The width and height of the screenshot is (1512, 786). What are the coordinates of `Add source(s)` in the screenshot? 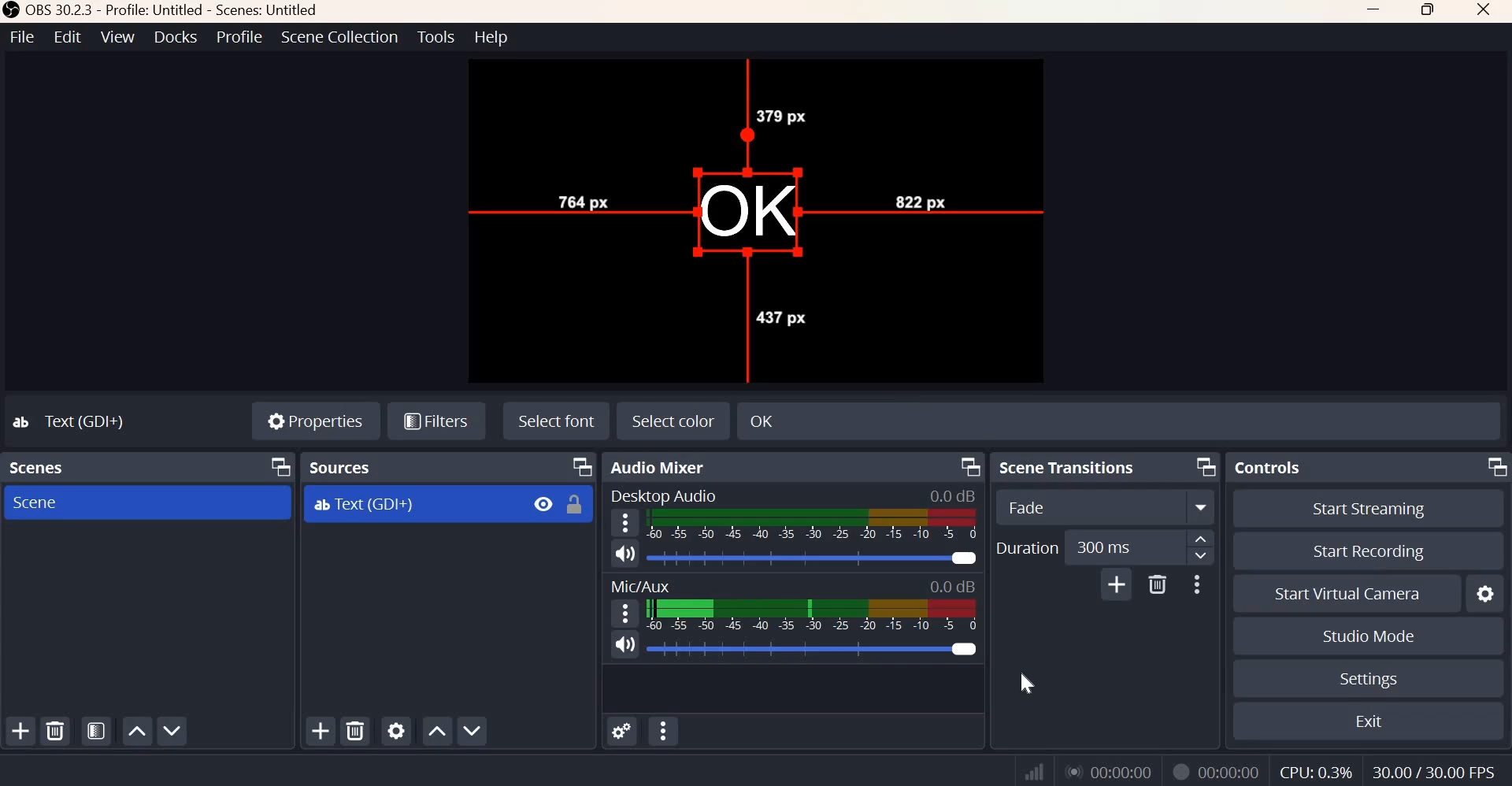 It's located at (322, 732).